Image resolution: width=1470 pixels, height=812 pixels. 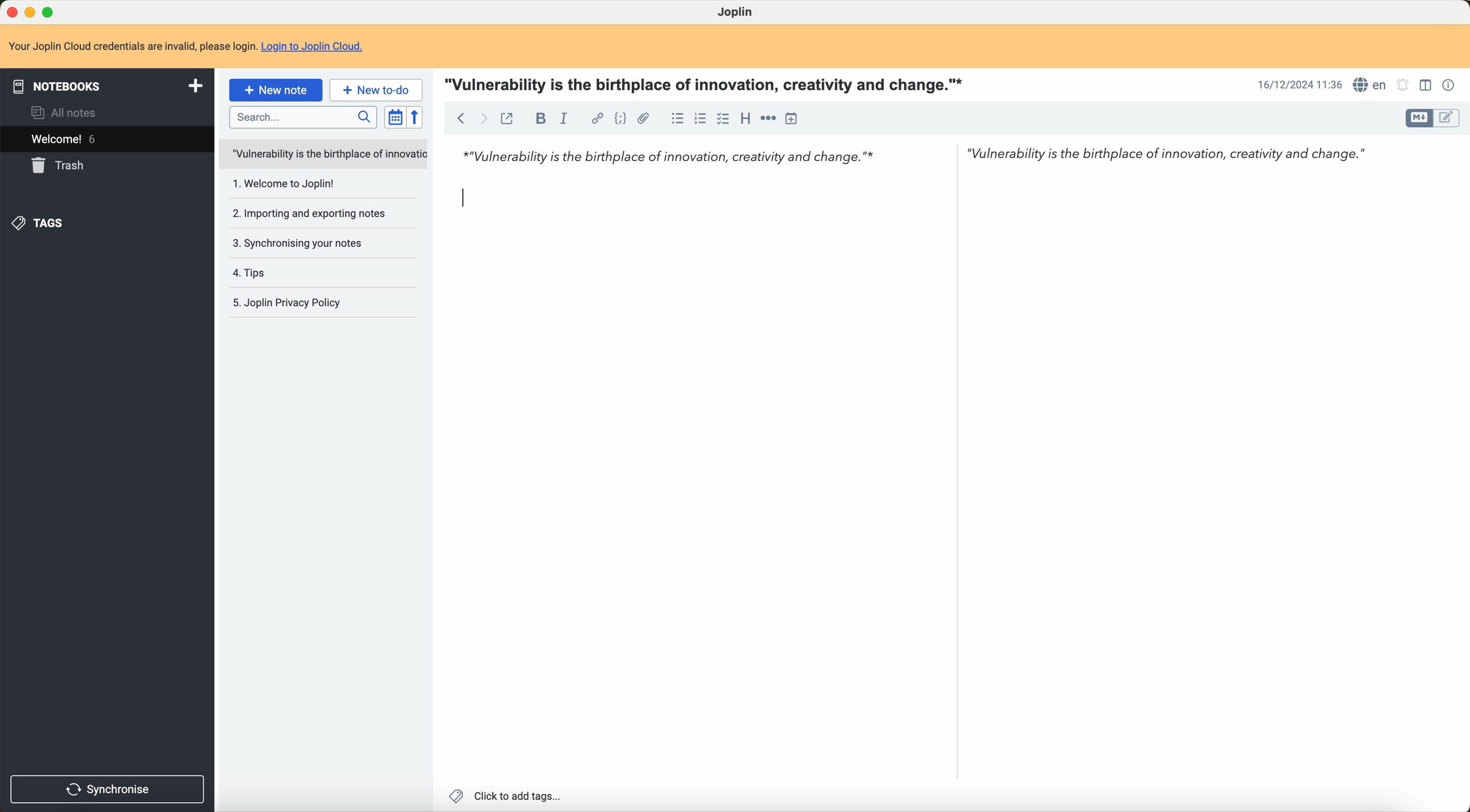 I want to click on reverse sort order, so click(x=416, y=117).